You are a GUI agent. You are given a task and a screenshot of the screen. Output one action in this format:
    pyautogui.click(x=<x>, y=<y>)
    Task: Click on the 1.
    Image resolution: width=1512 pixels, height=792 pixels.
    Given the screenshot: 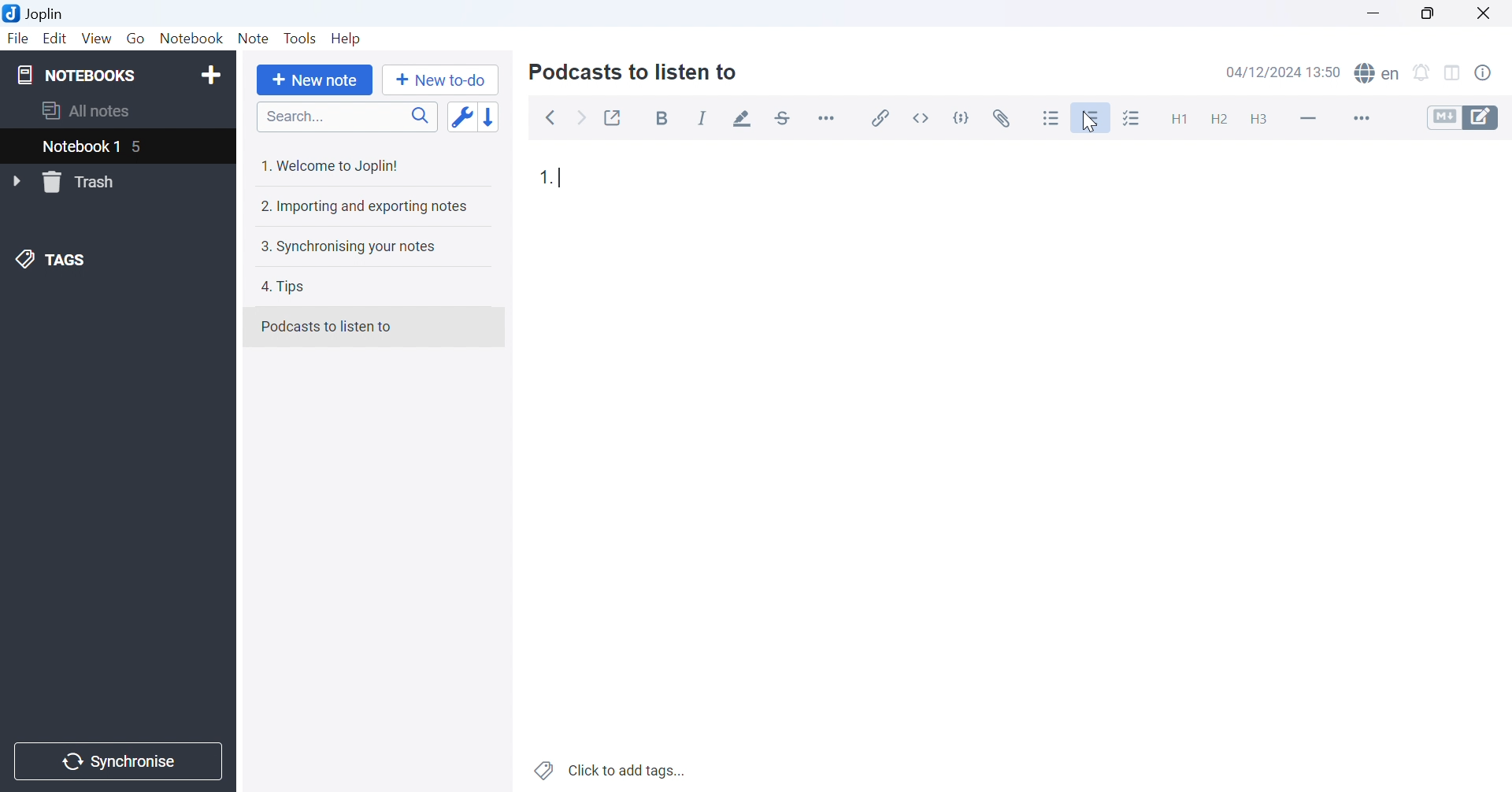 What is the action you would take?
    pyautogui.click(x=544, y=175)
    